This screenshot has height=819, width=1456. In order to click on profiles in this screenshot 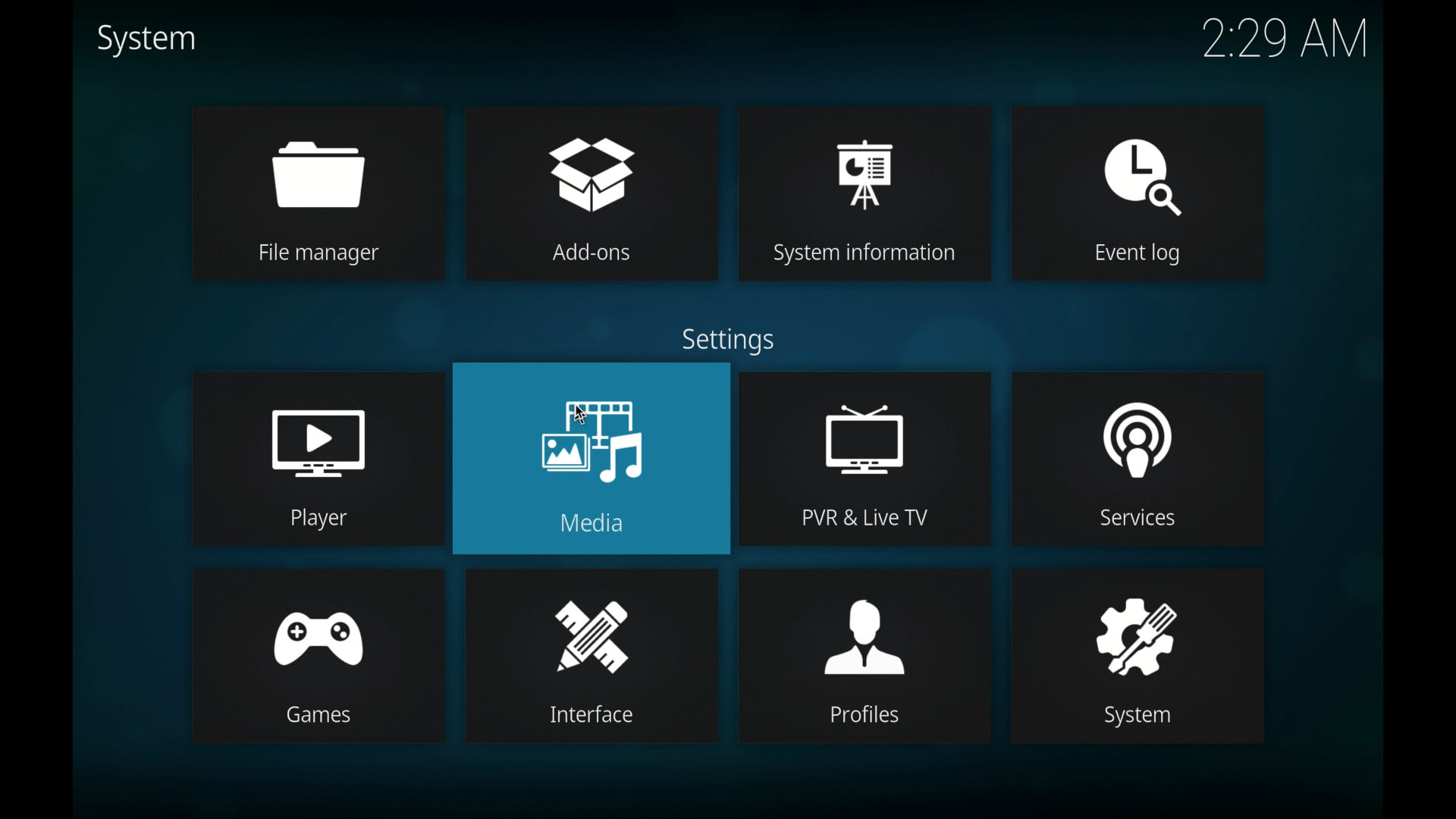, I will do `click(865, 624)`.